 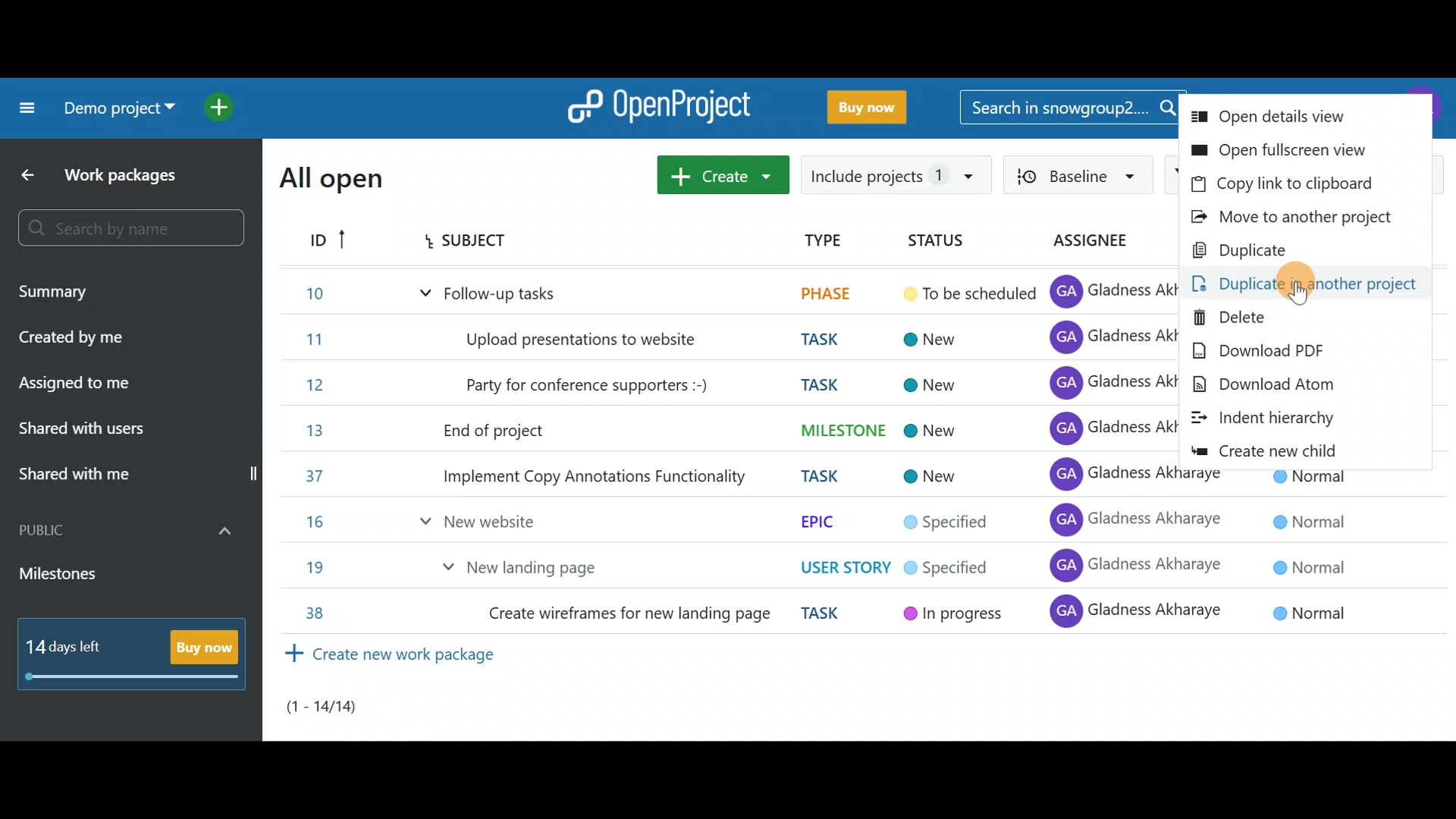 I want to click on GA Gladness Akharaye, so click(x=1112, y=288).